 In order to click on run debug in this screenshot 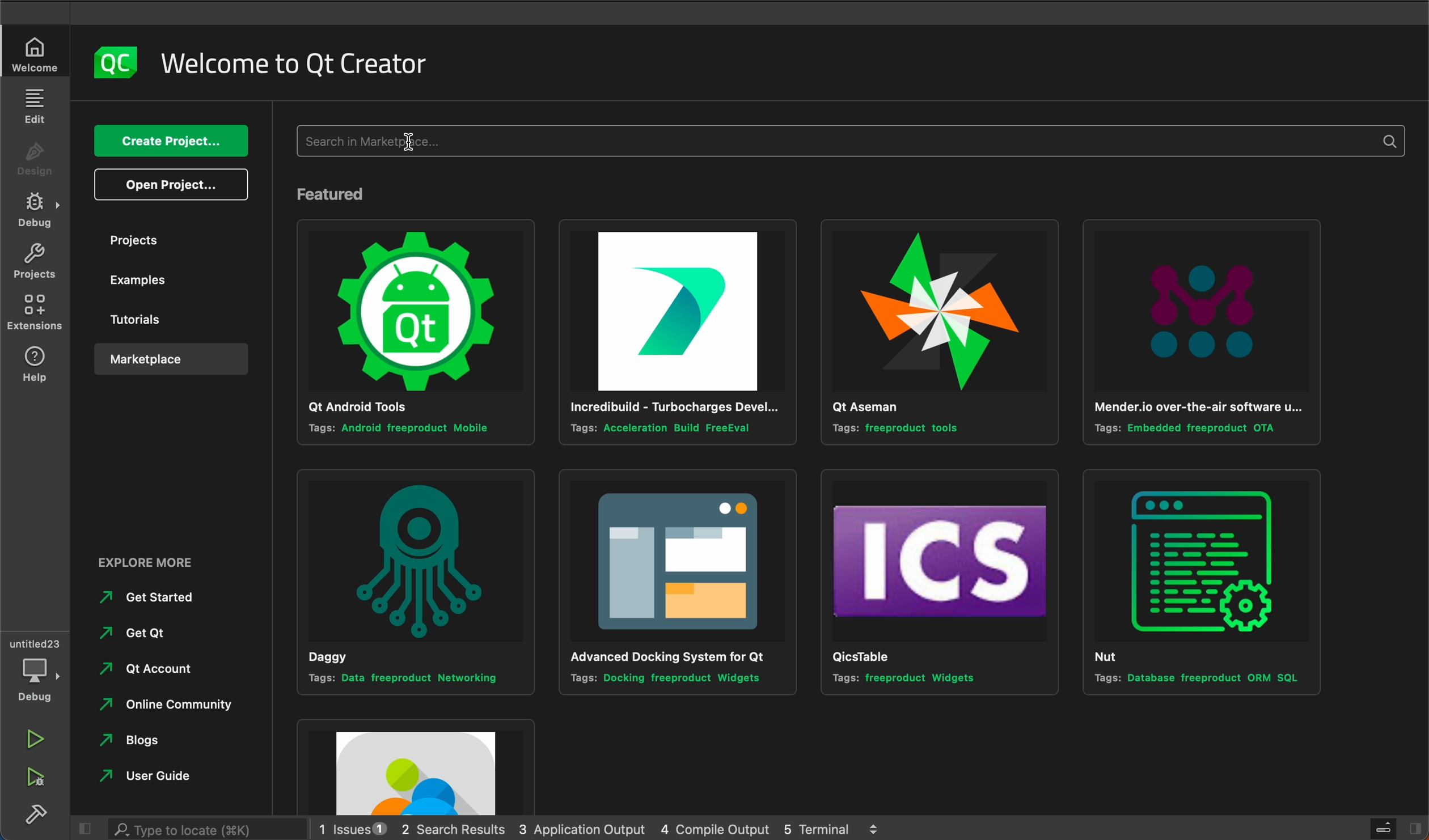, I will do `click(34, 781)`.